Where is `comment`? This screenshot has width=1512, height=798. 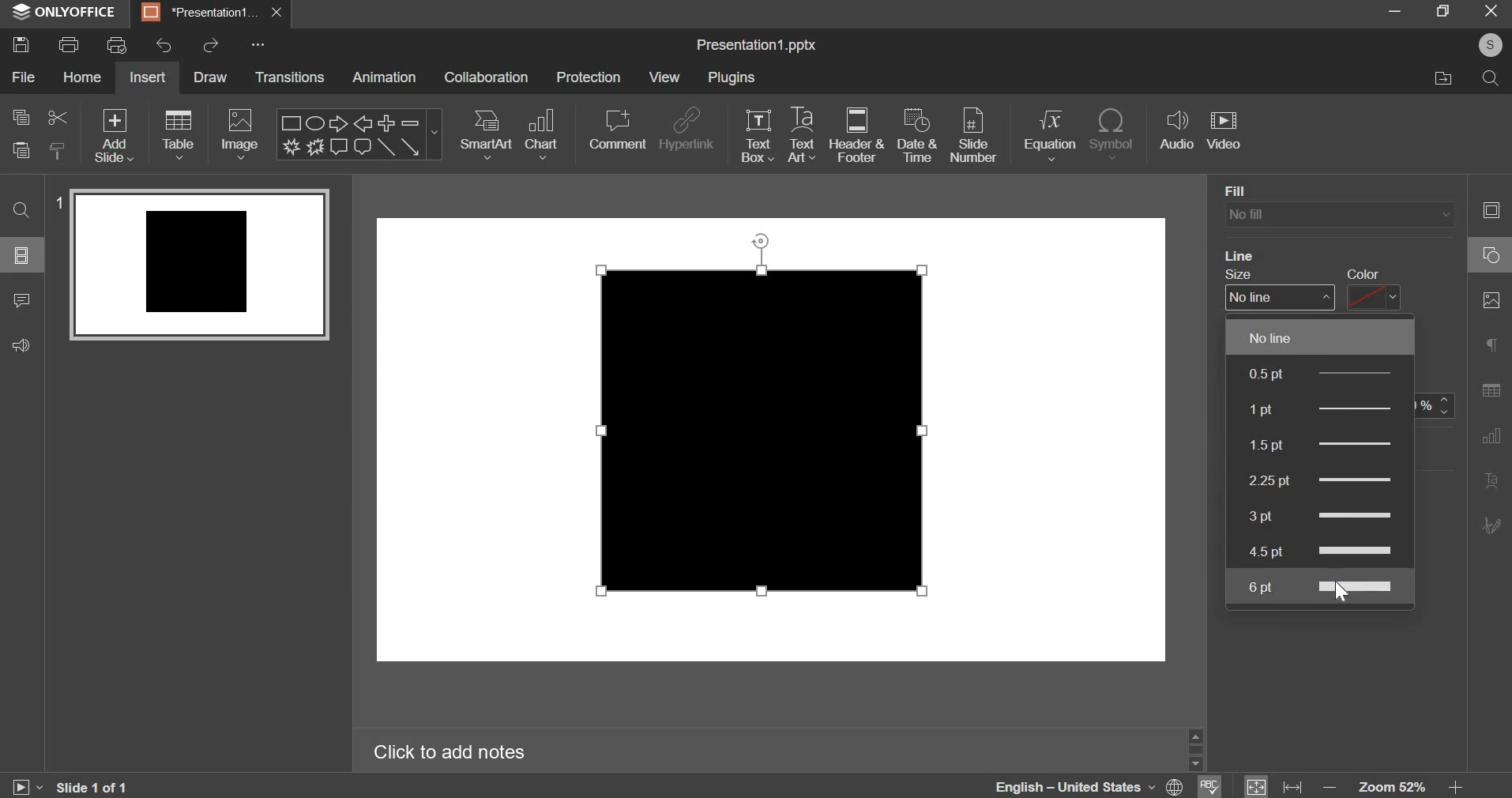
comment is located at coordinates (20, 302).